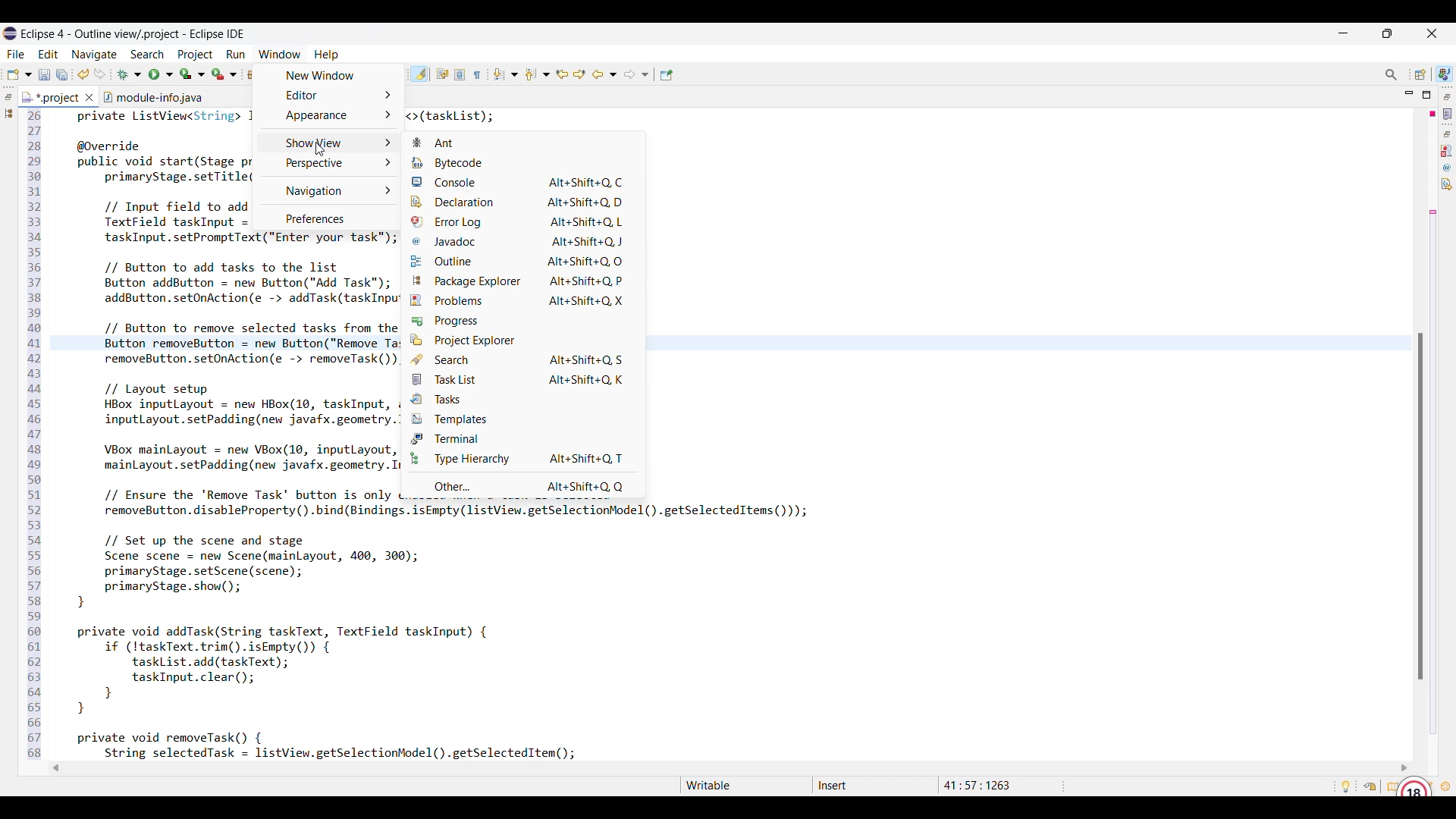  Describe the element at coordinates (328, 95) in the screenshot. I see `Editor options` at that location.